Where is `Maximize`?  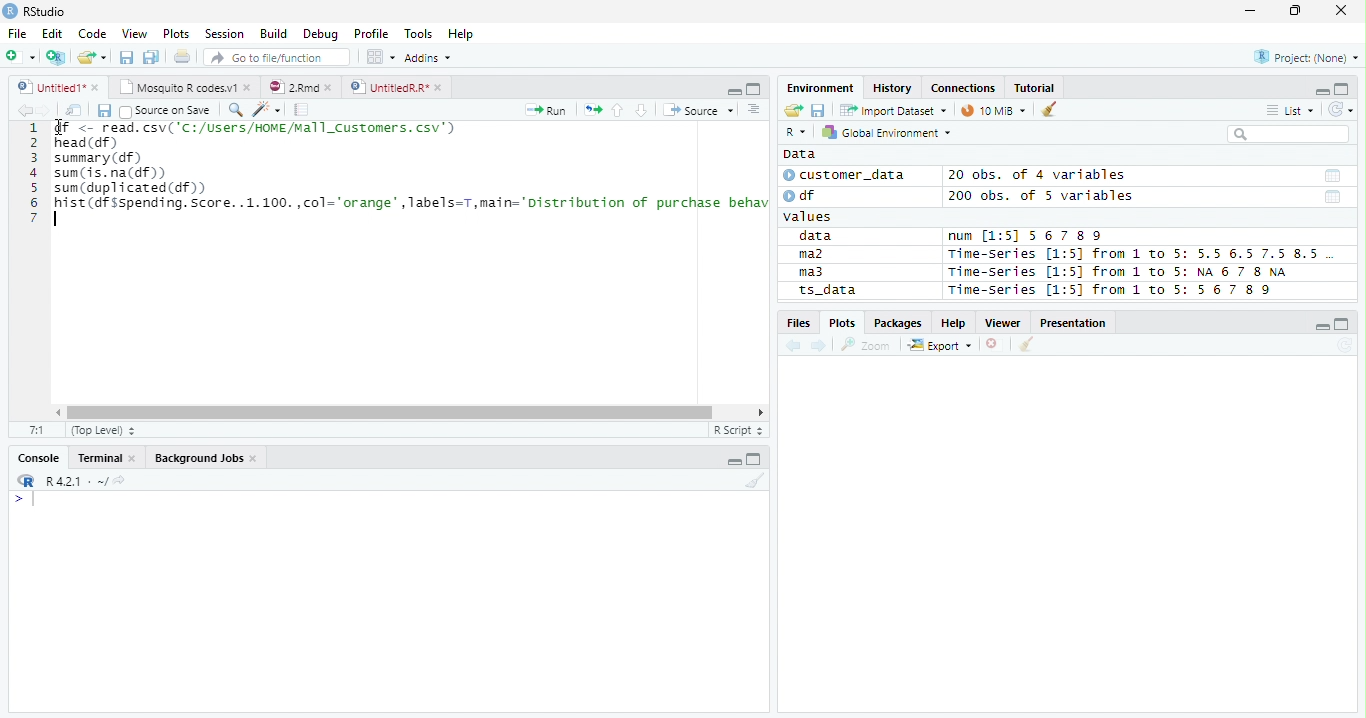 Maximize is located at coordinates (753, 88).